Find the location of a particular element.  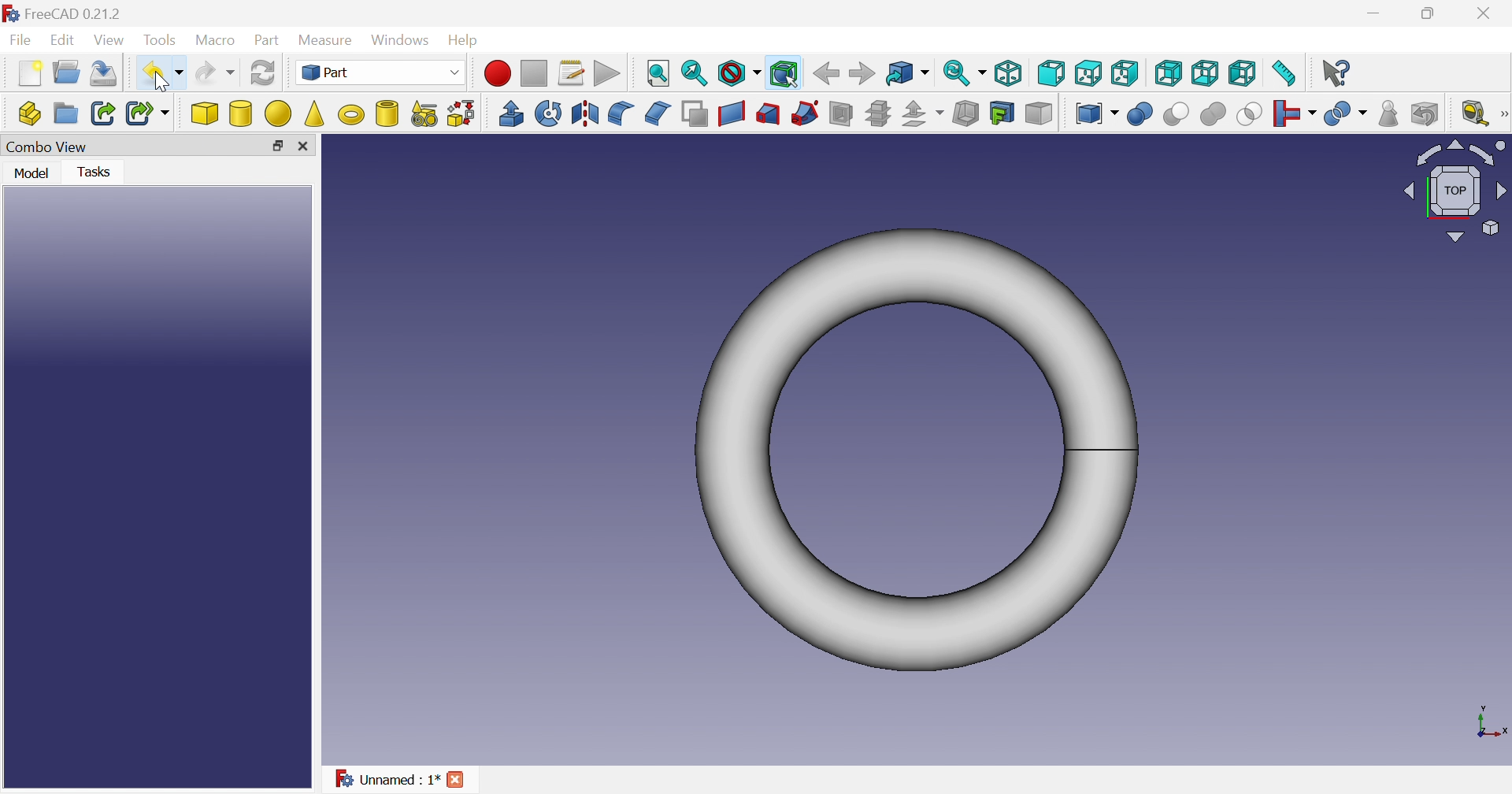

Check geometry is located at coordinates (1390, 113).